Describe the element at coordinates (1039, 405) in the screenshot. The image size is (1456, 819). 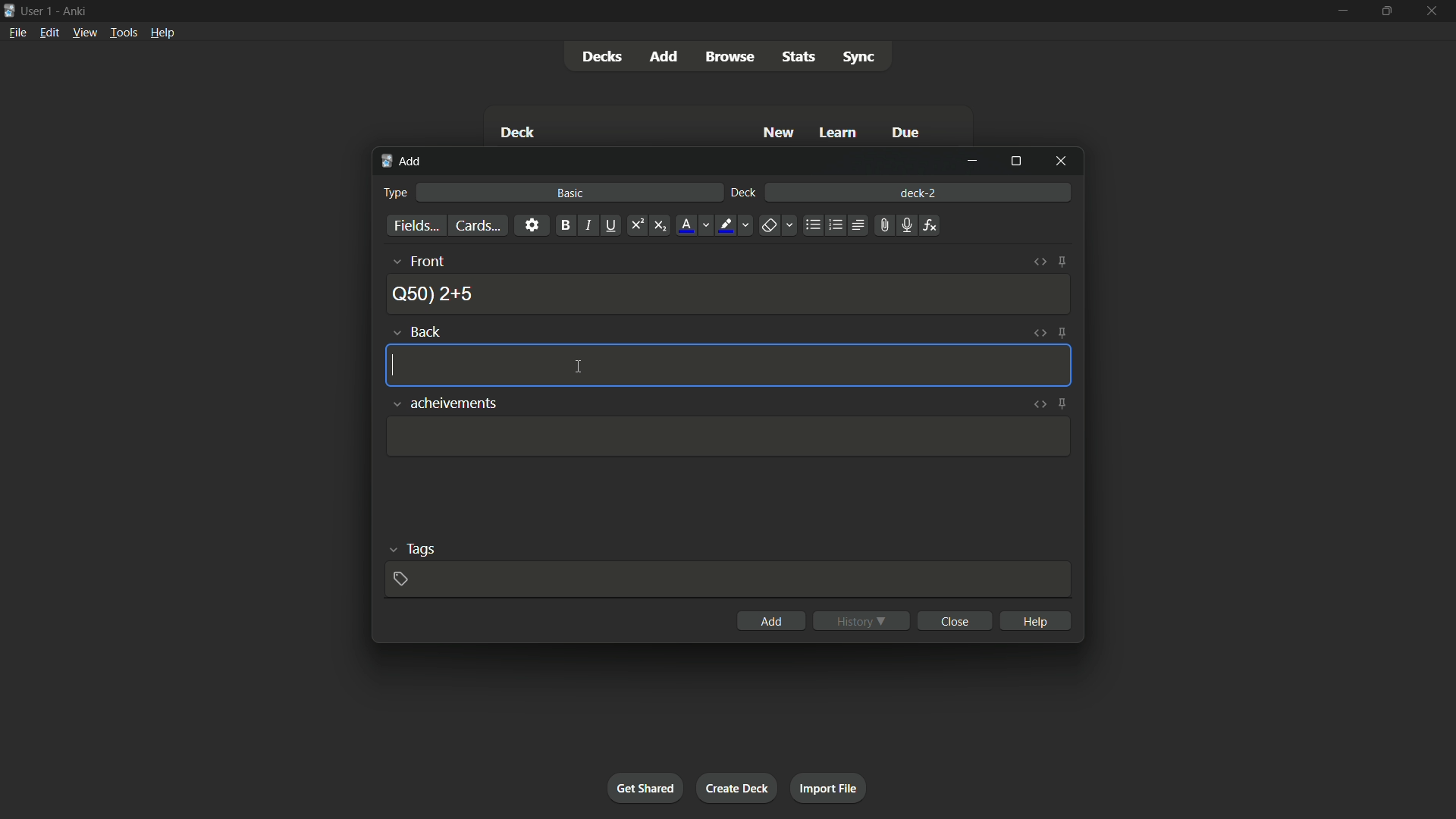
I see `toggle html editor` at that location.